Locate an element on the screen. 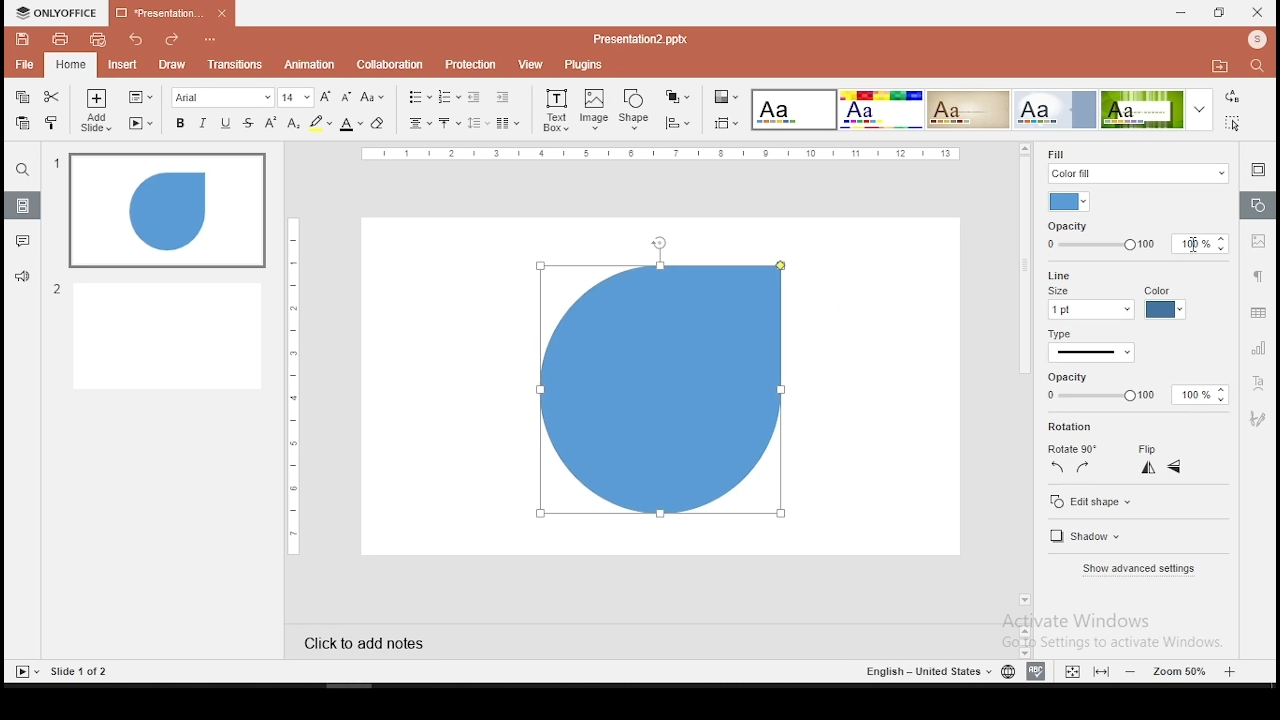 This screenshot has width=1280, height=720. print file is located at coordinates (59, 40).